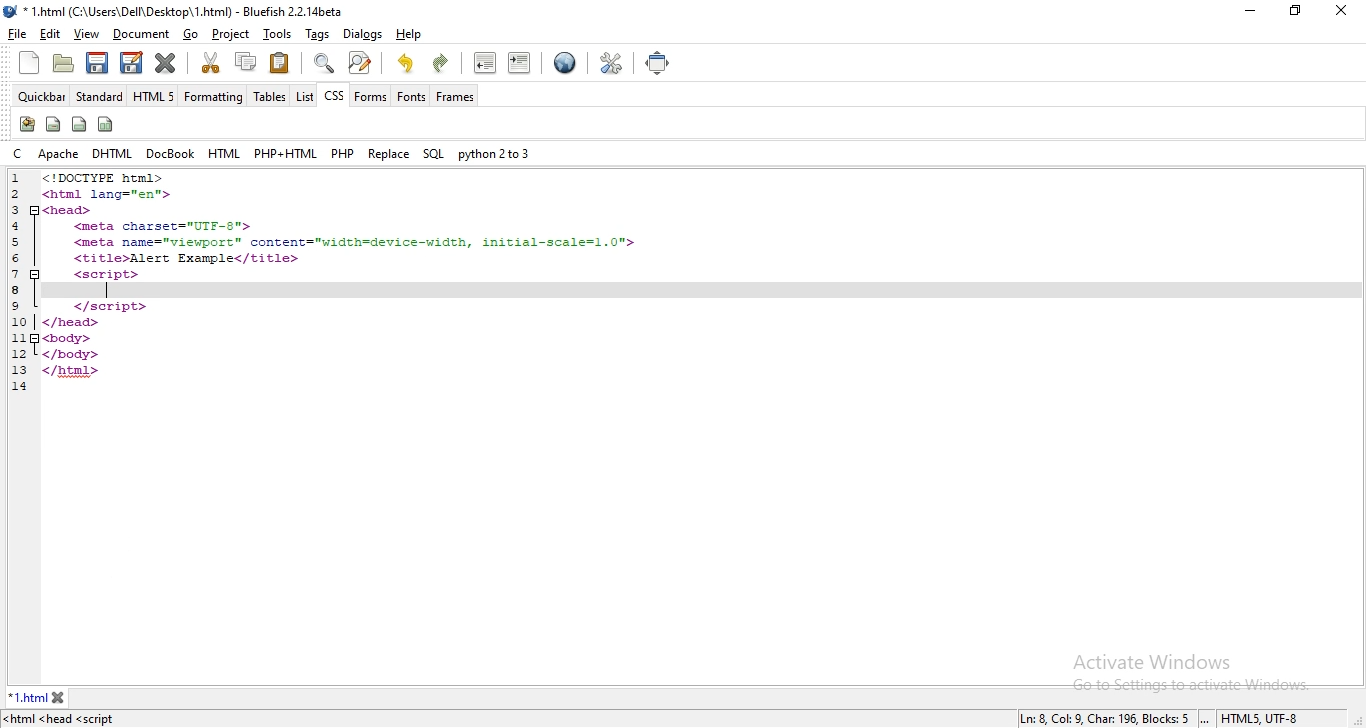  I want to click on </head>, so click(73, 323).